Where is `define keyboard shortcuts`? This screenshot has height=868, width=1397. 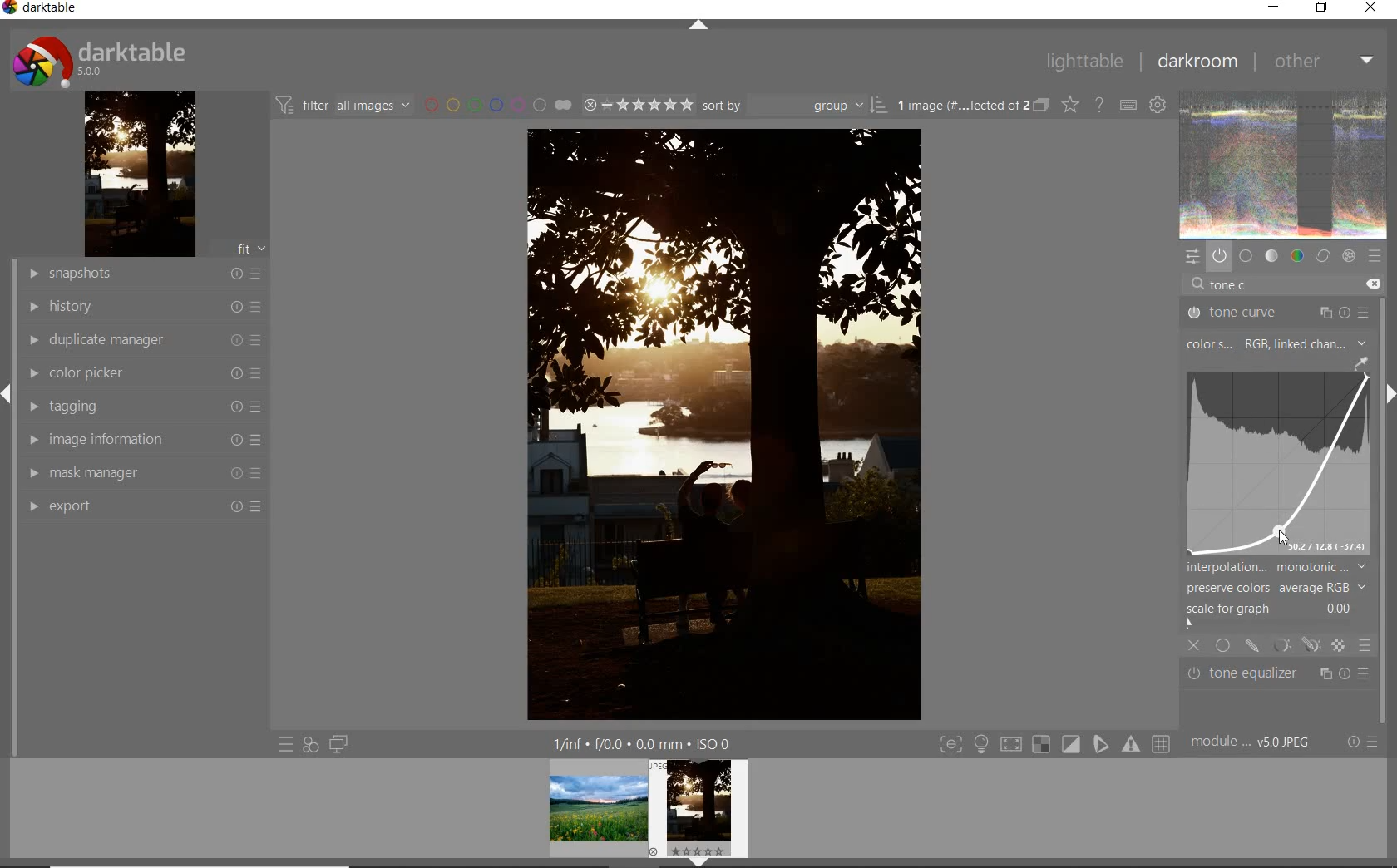
define keyboard shortcuts is located at coordinates (1131, 105).